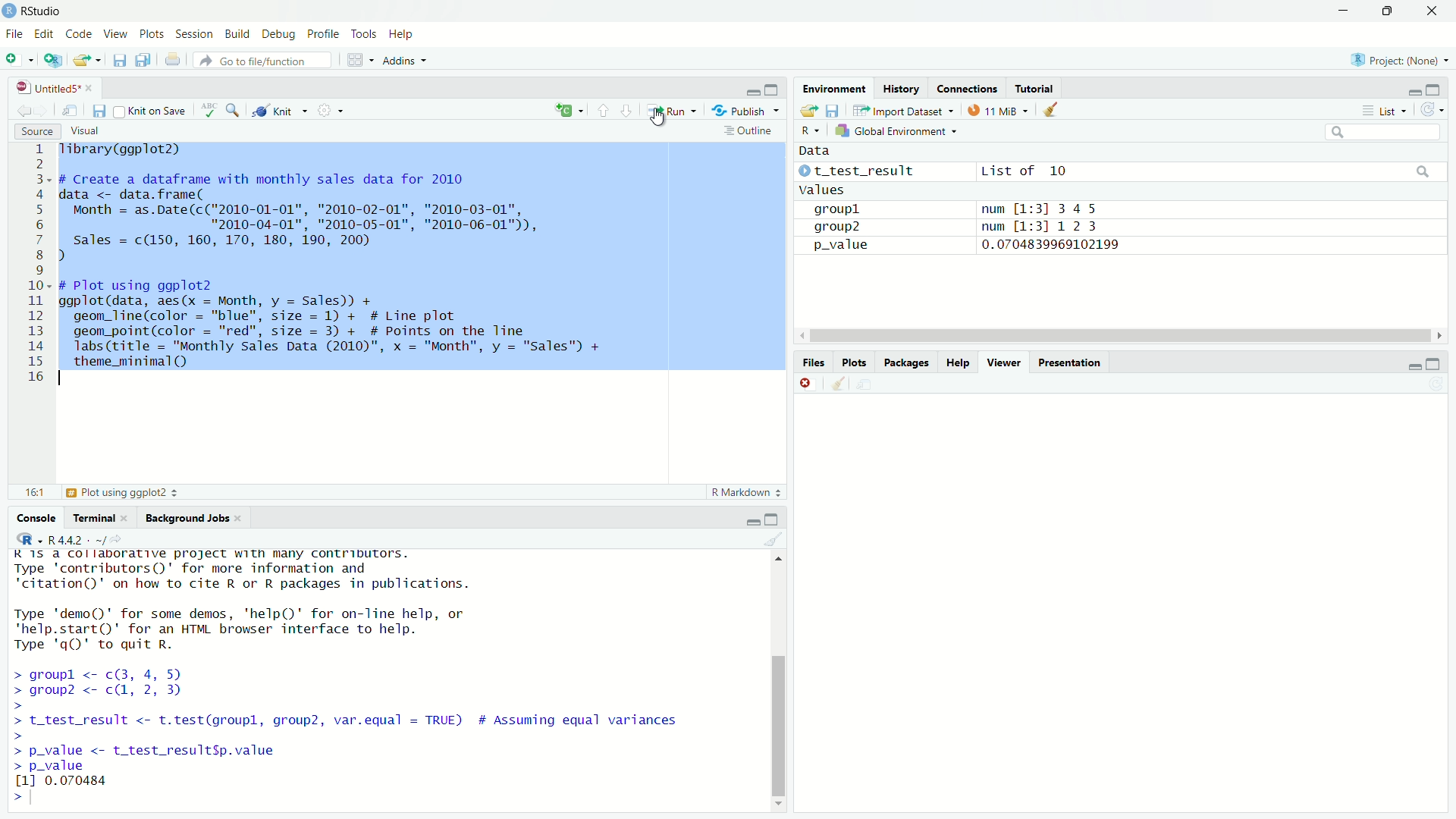 The width and height of the screenshot is (1456, 819). I want to click on @R -R442- ~/, so click(63, 540).